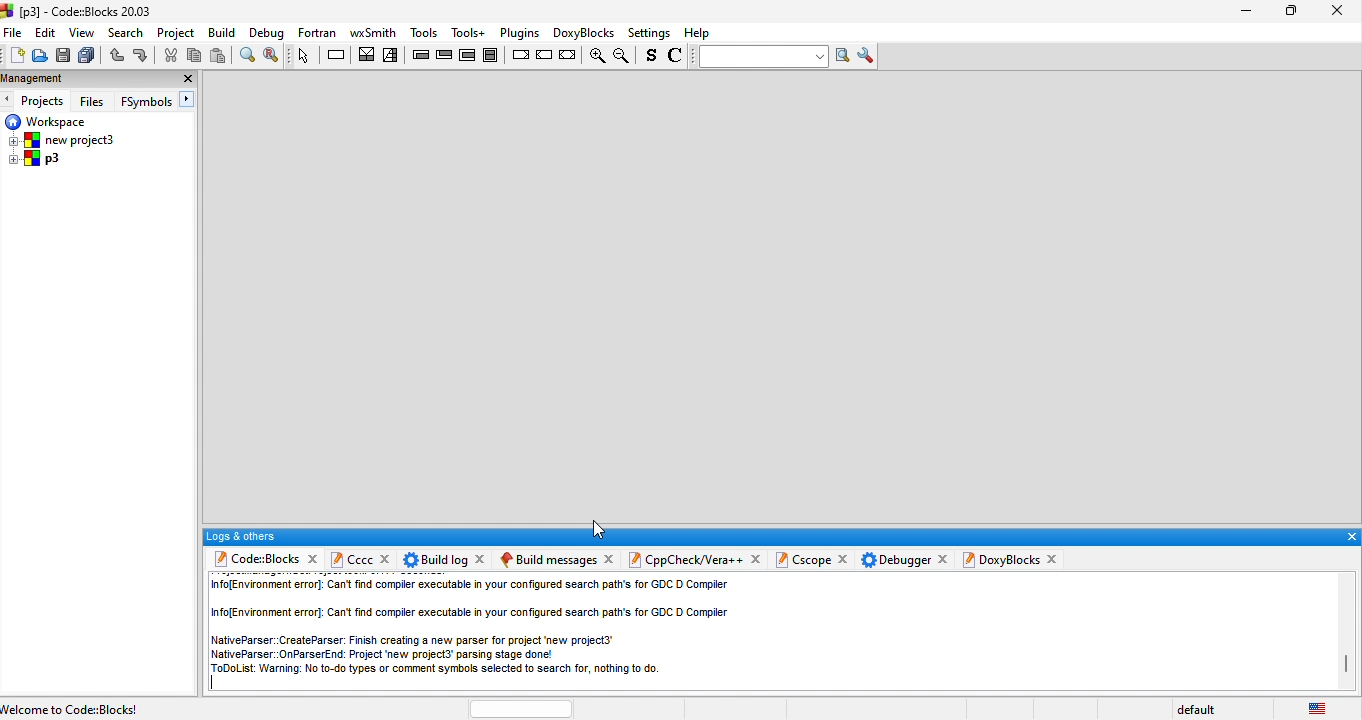  I want to click on close, so click(612, 558).